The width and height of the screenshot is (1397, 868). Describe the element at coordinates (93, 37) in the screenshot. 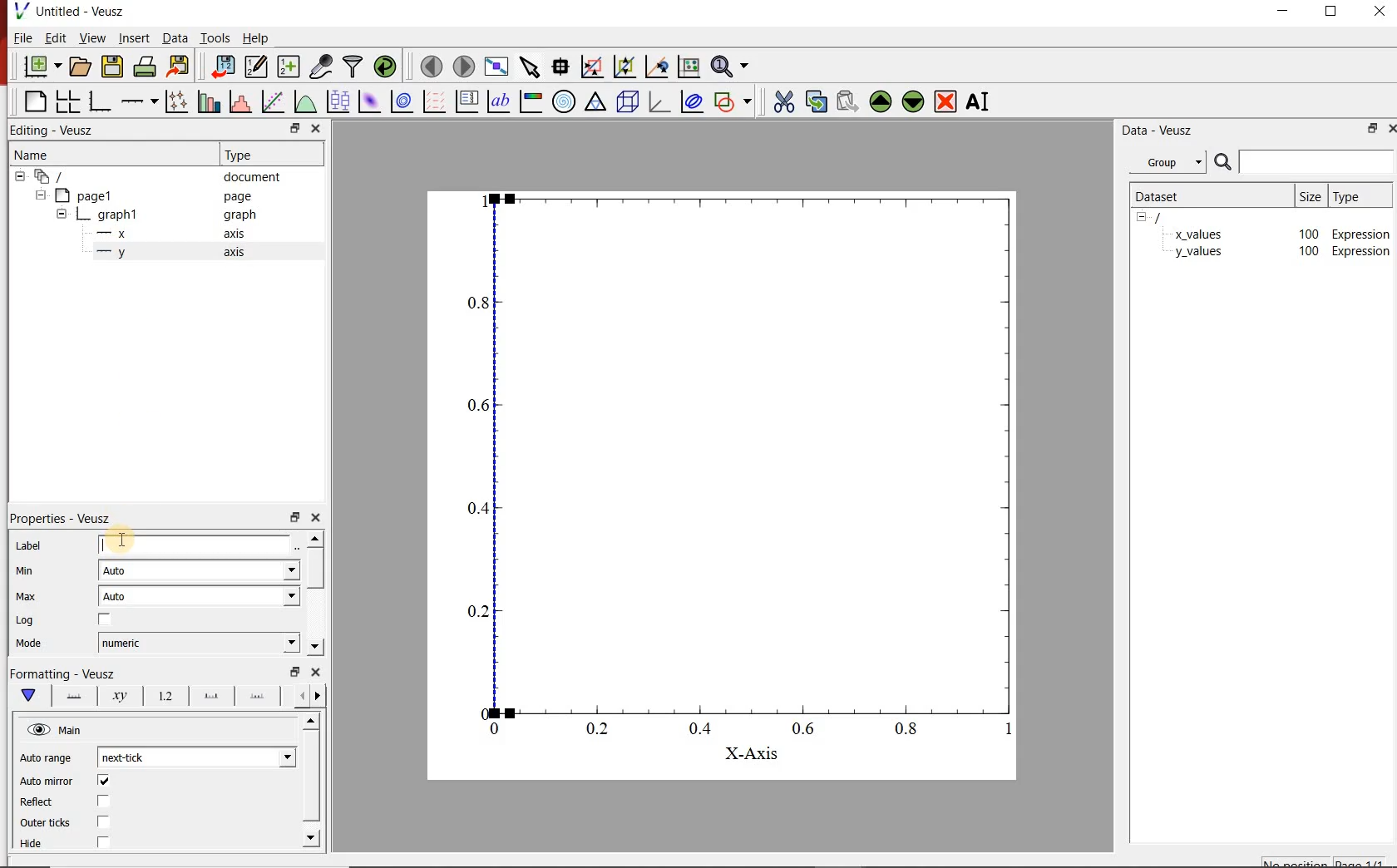

I see `view` at that location.